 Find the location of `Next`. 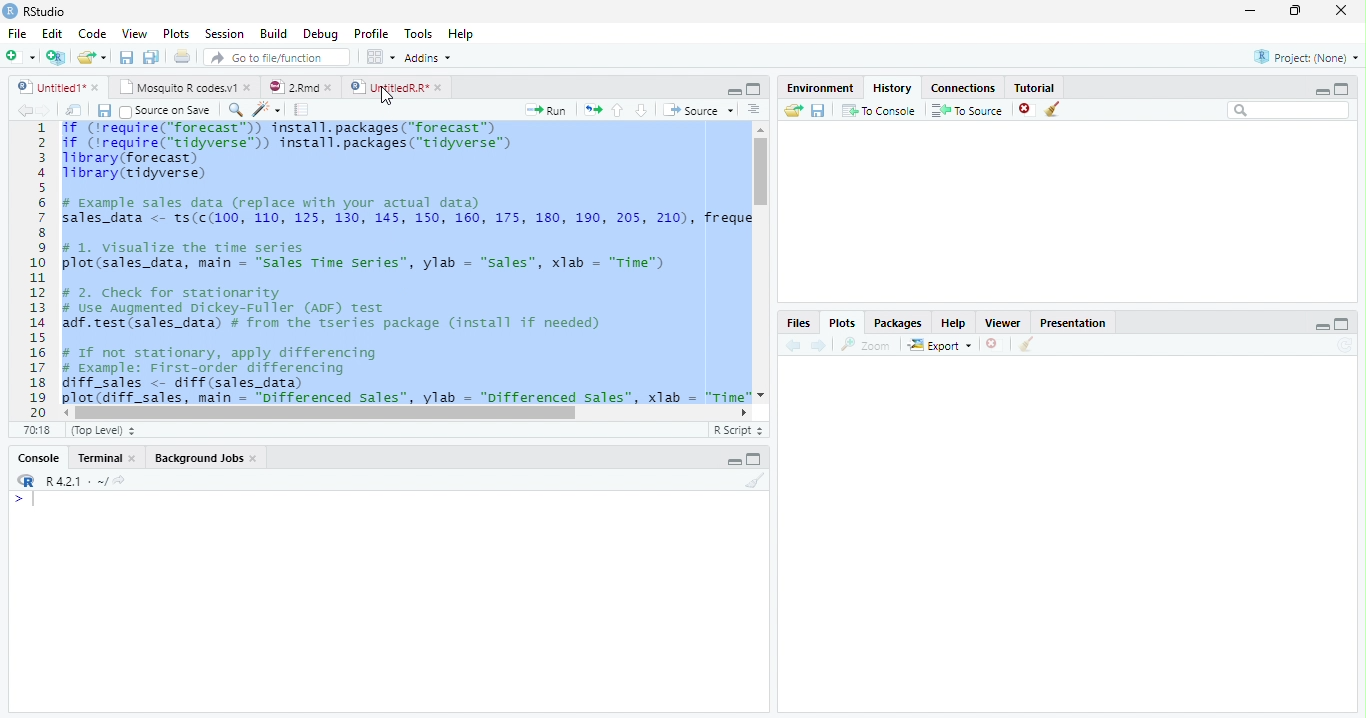

Next is located at coordinates (821, 346).